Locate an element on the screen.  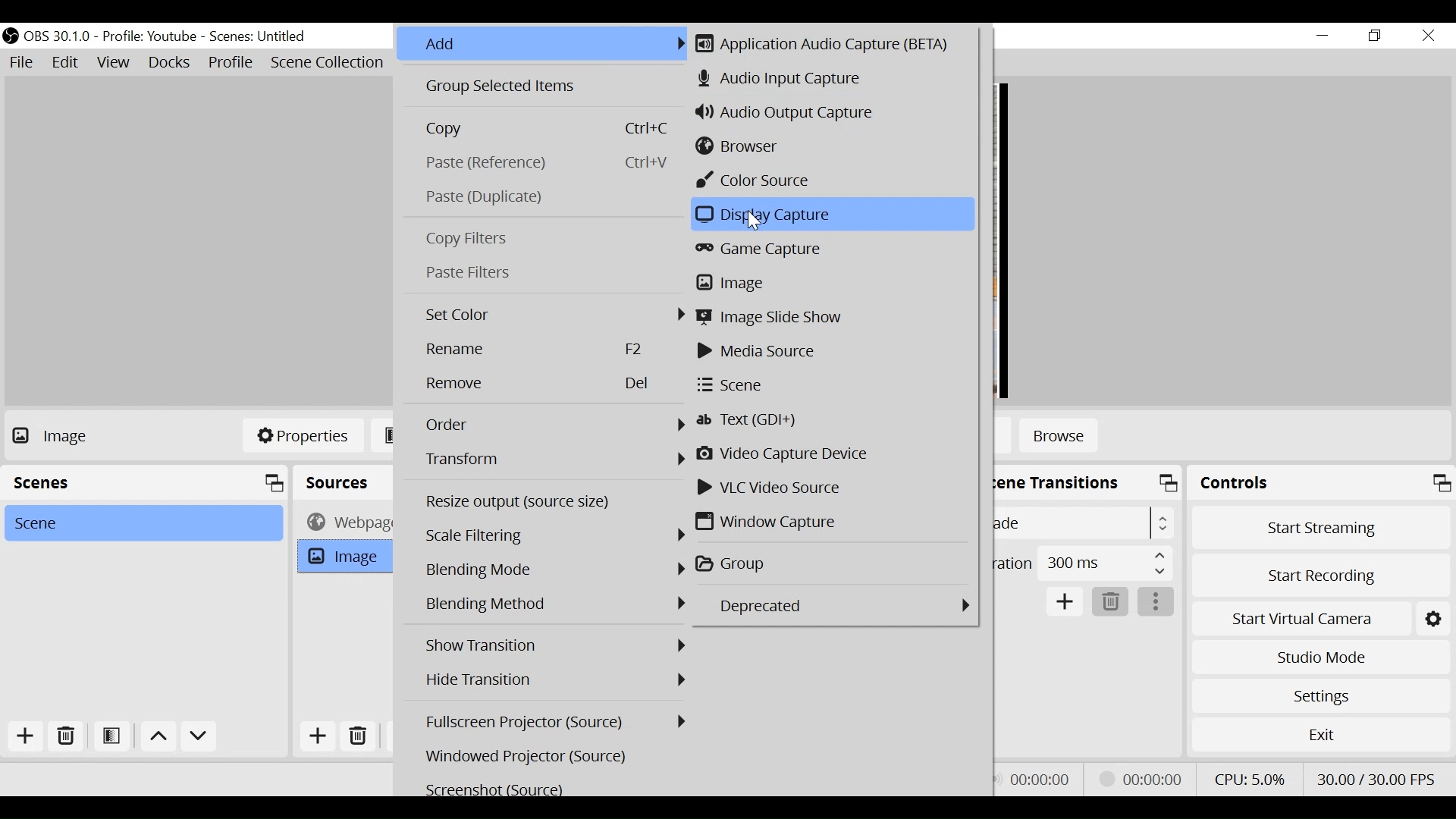
Start Recording is located at coordinates (1321, 578).